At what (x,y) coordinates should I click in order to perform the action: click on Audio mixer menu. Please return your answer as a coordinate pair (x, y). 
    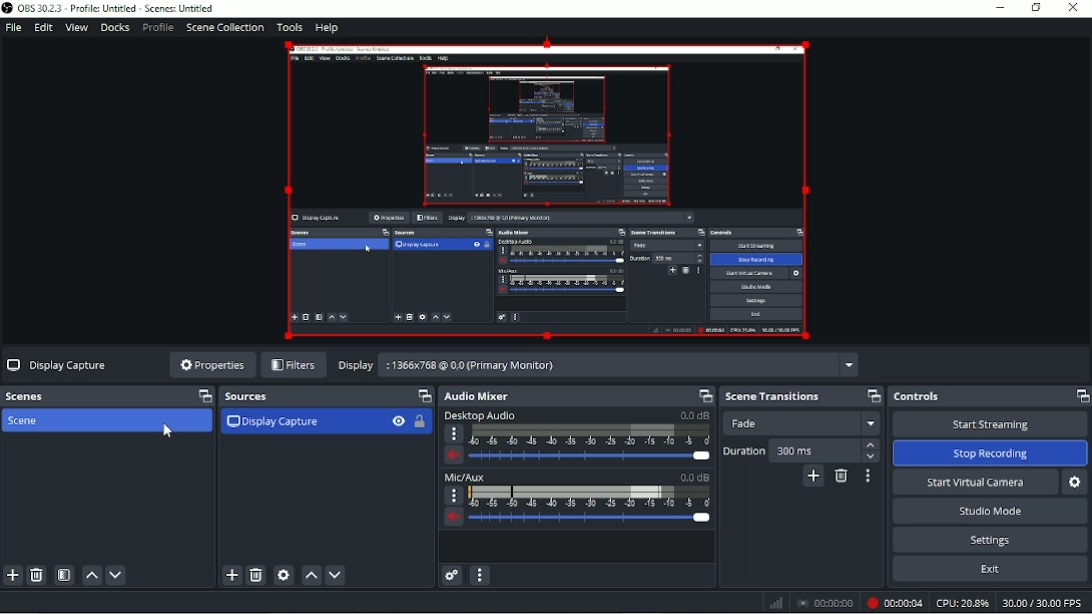
    Looking at the image, I should click on (481, 575).